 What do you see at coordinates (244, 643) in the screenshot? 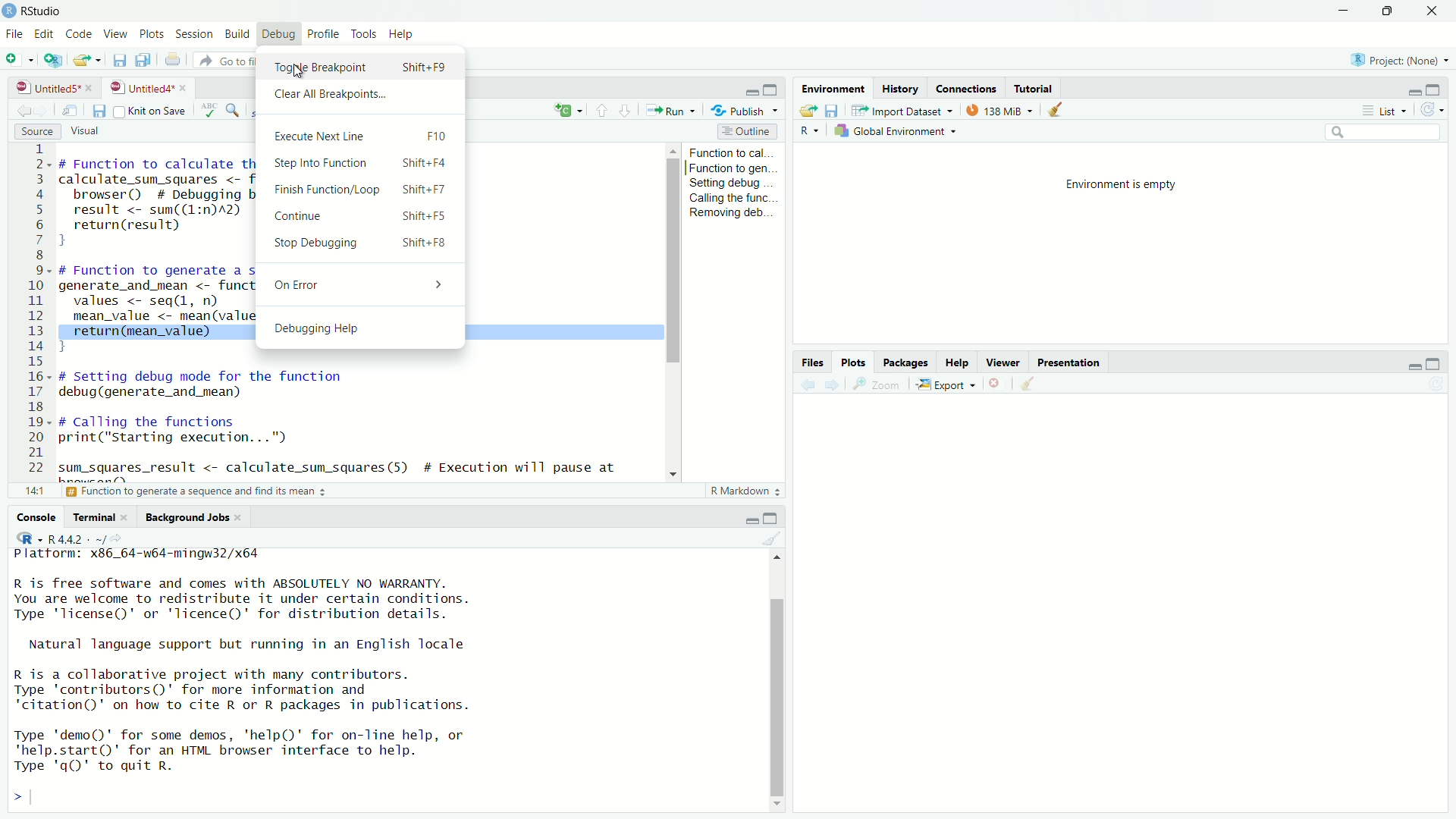
I see `Natural language support but running in an English locale` at bounding box center [244, 643].